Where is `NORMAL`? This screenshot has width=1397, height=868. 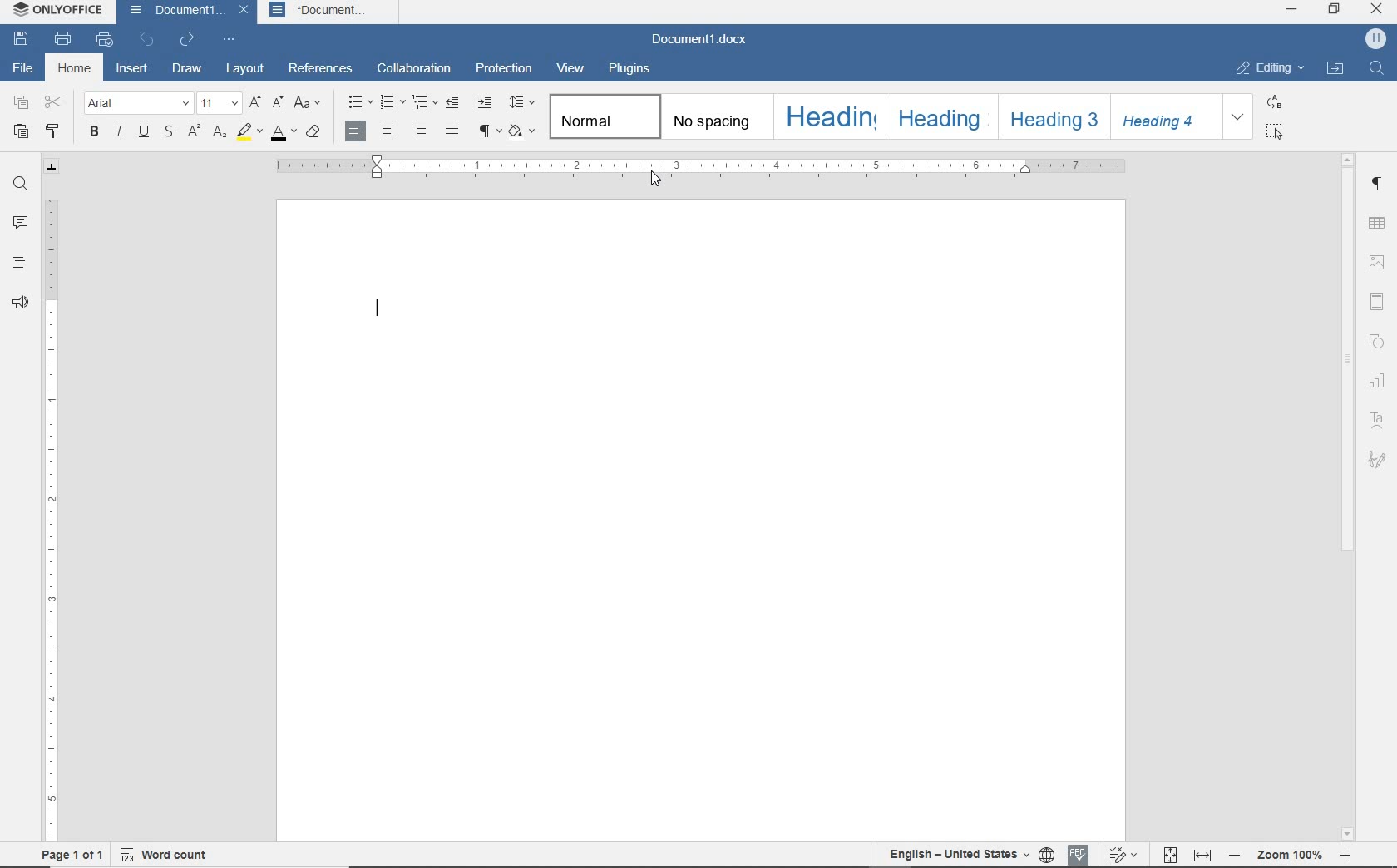
NORMAL is located at coordinates (601, 116).